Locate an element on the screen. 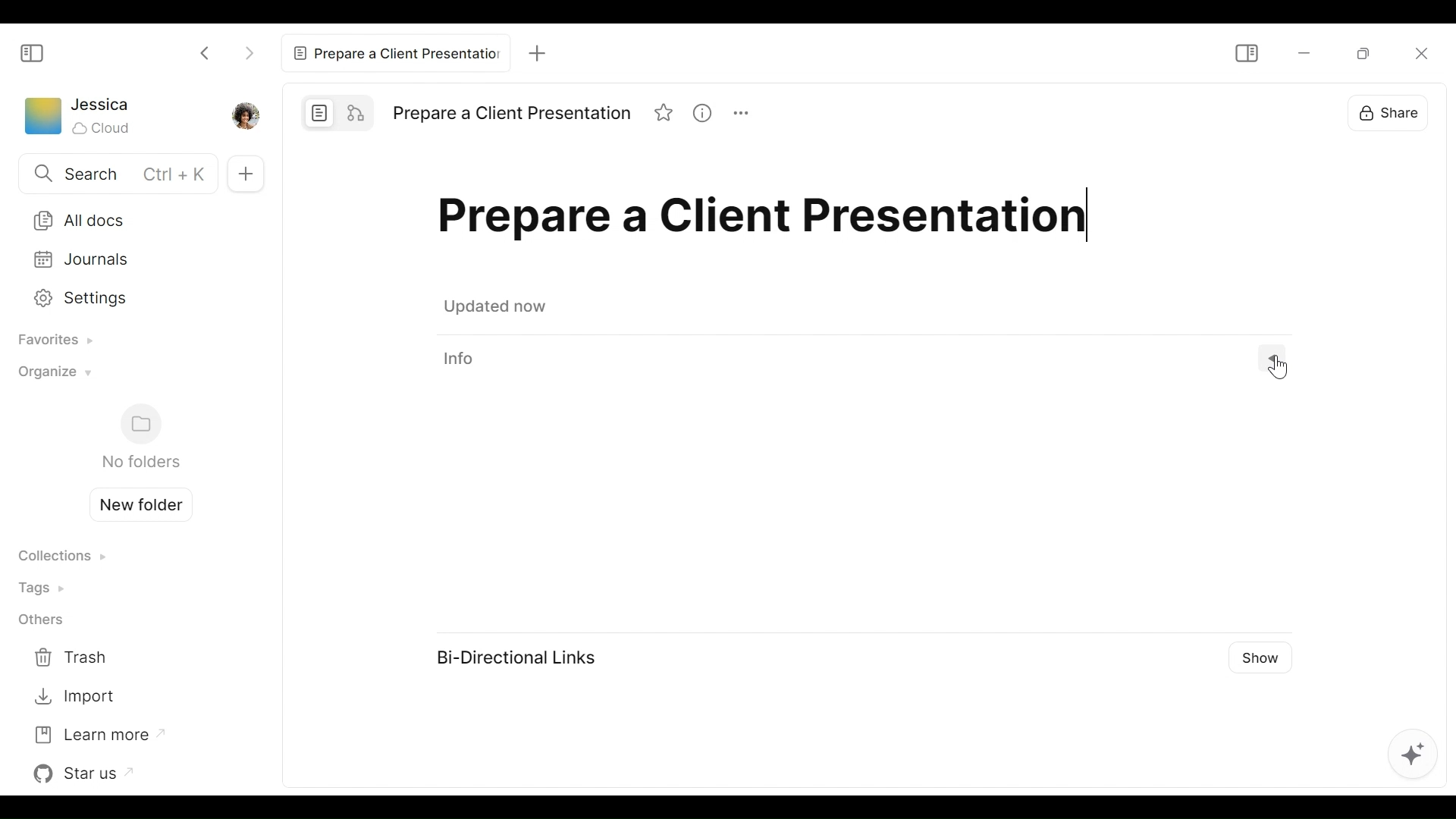 The image size is (1456, 819). Cursor is located at coordinates (1282, 368).